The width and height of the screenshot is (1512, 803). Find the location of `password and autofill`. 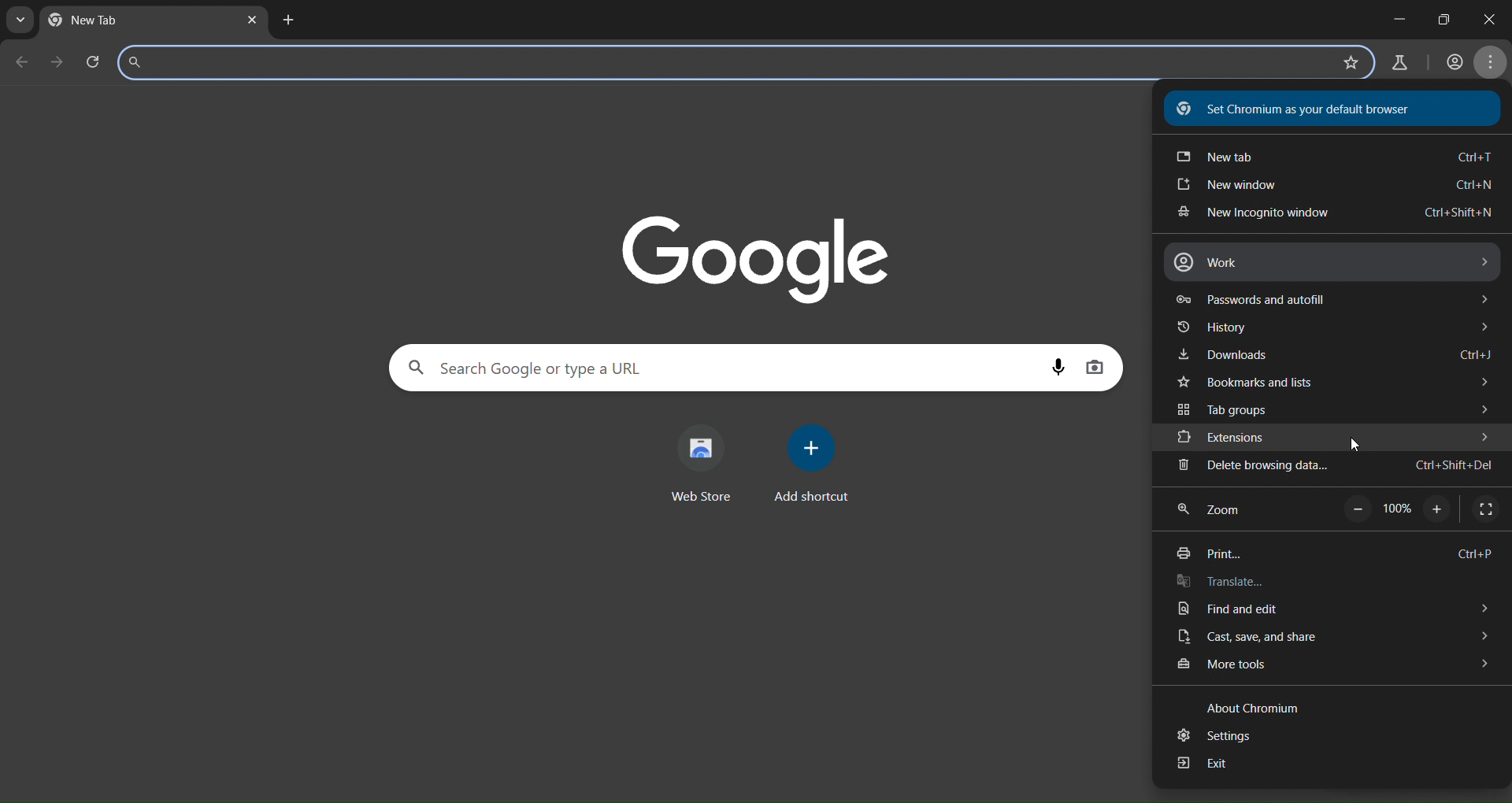

password and autofill is located at coordinates (1331, 299).